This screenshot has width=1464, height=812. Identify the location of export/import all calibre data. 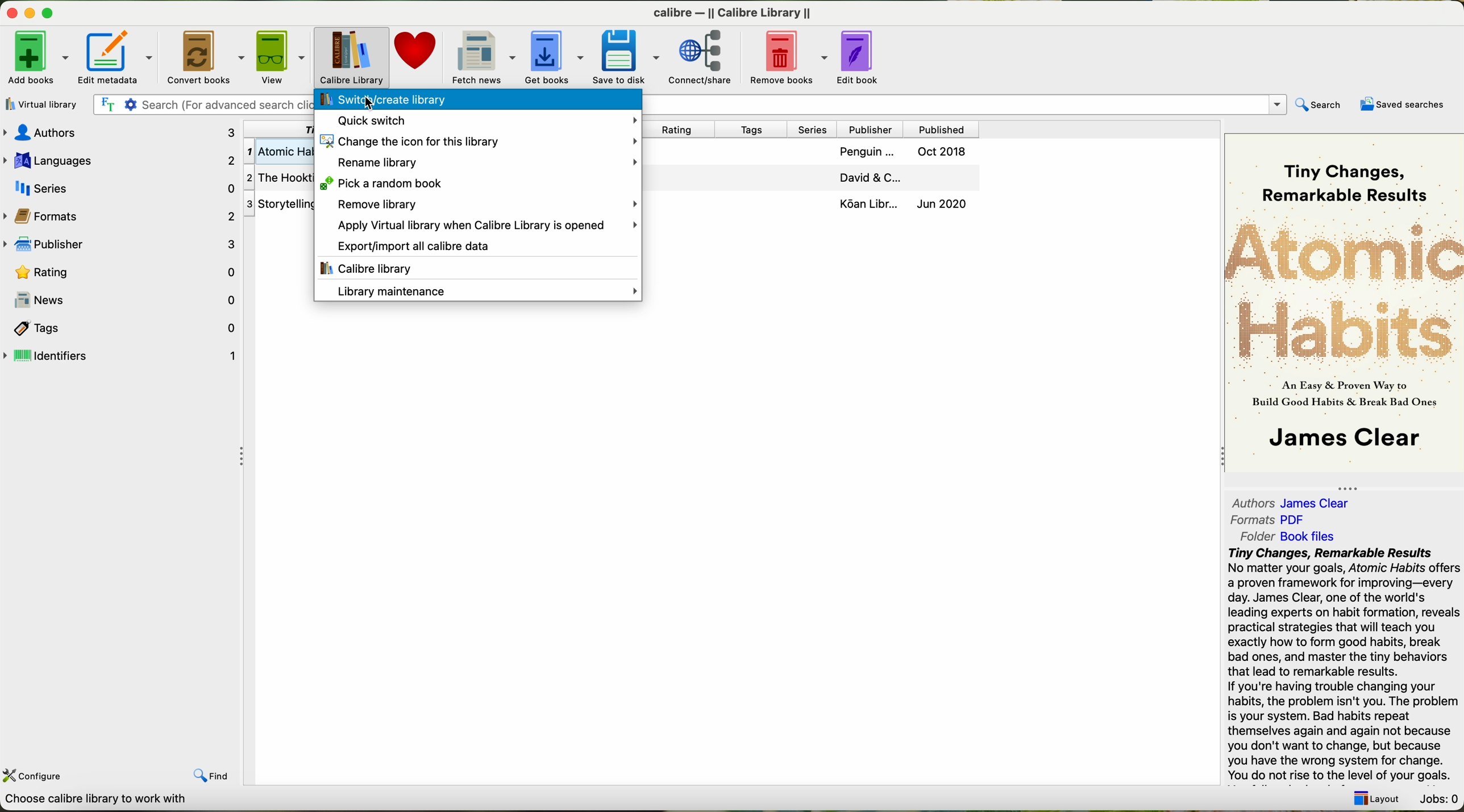
(477, 247).